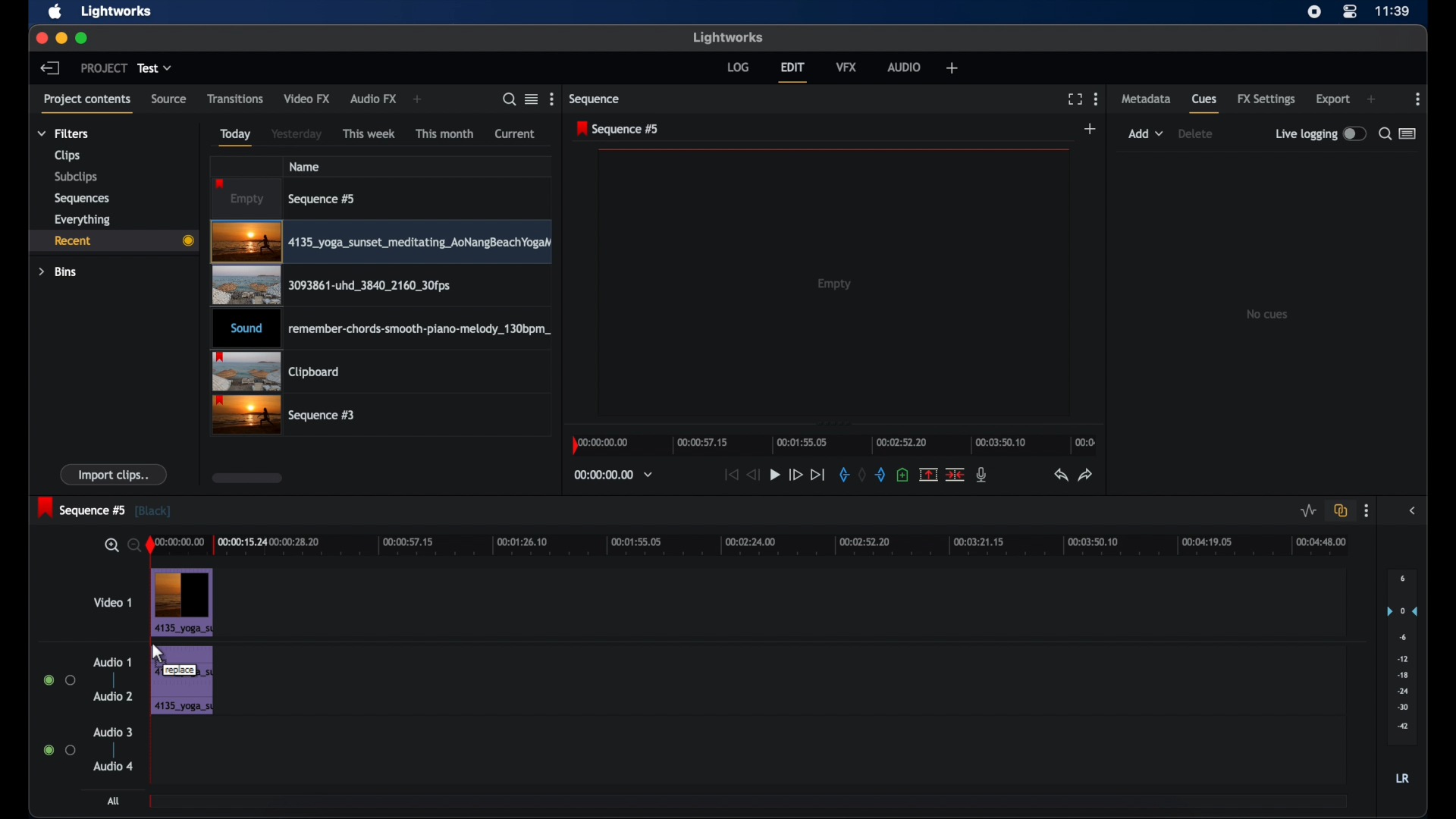 The height and width of the screenshot is (819, 1456). I want to click on close, so click(41, 38).